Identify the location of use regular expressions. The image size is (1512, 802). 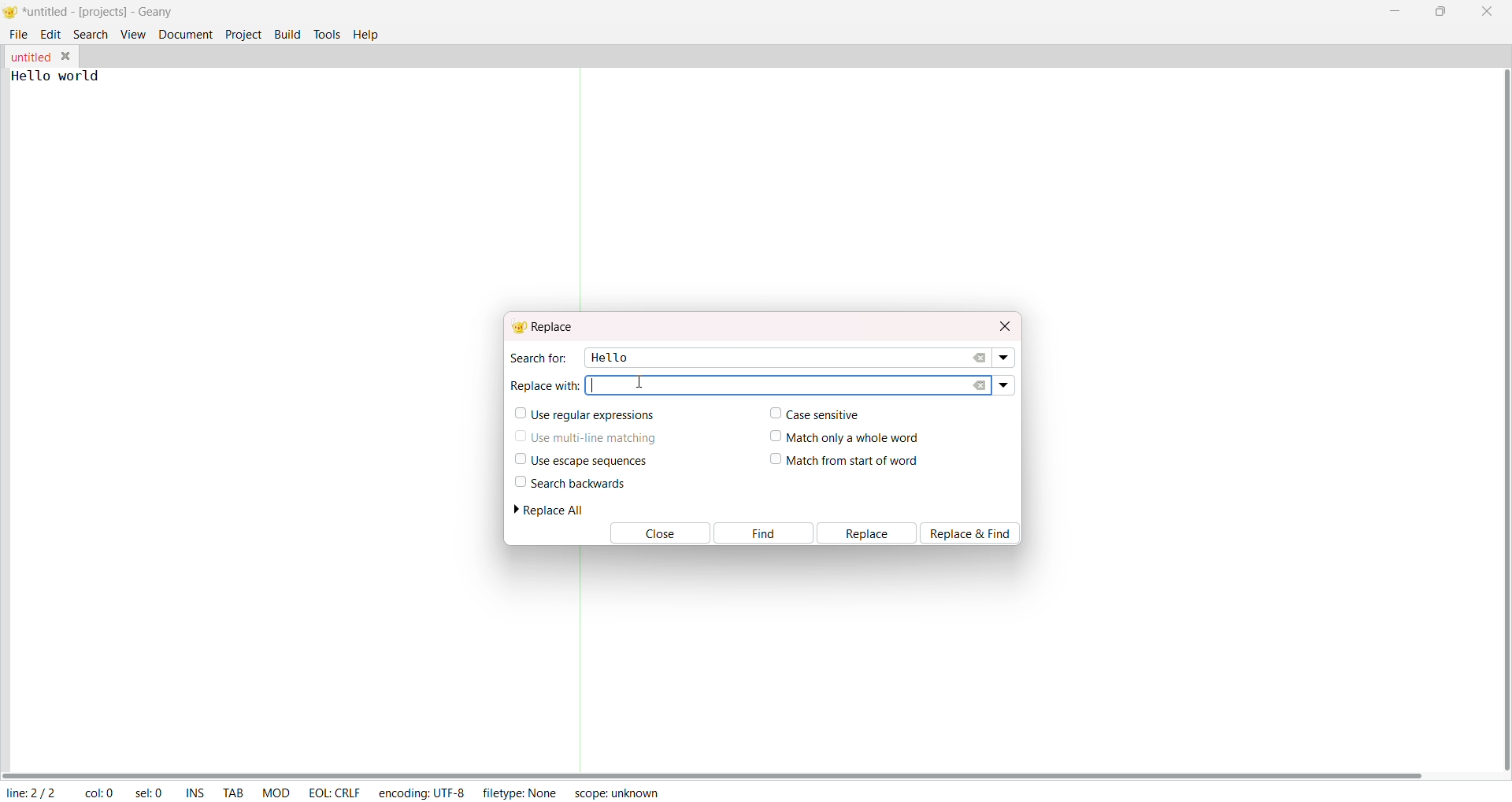
(586, 415).